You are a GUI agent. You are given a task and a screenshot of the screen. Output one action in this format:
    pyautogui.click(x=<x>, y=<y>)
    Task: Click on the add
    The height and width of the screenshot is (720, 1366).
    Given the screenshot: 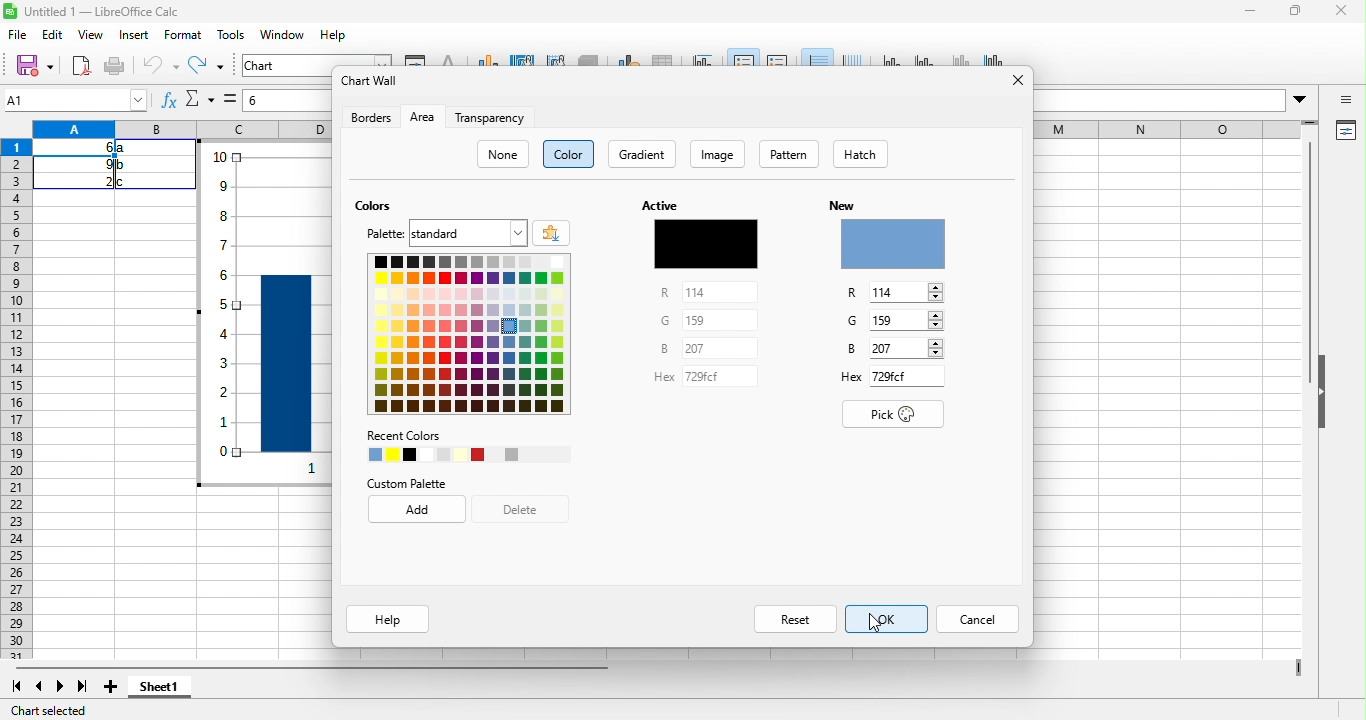 What is the action you would take?
    pyautogui.click(x=554, y=233)
    